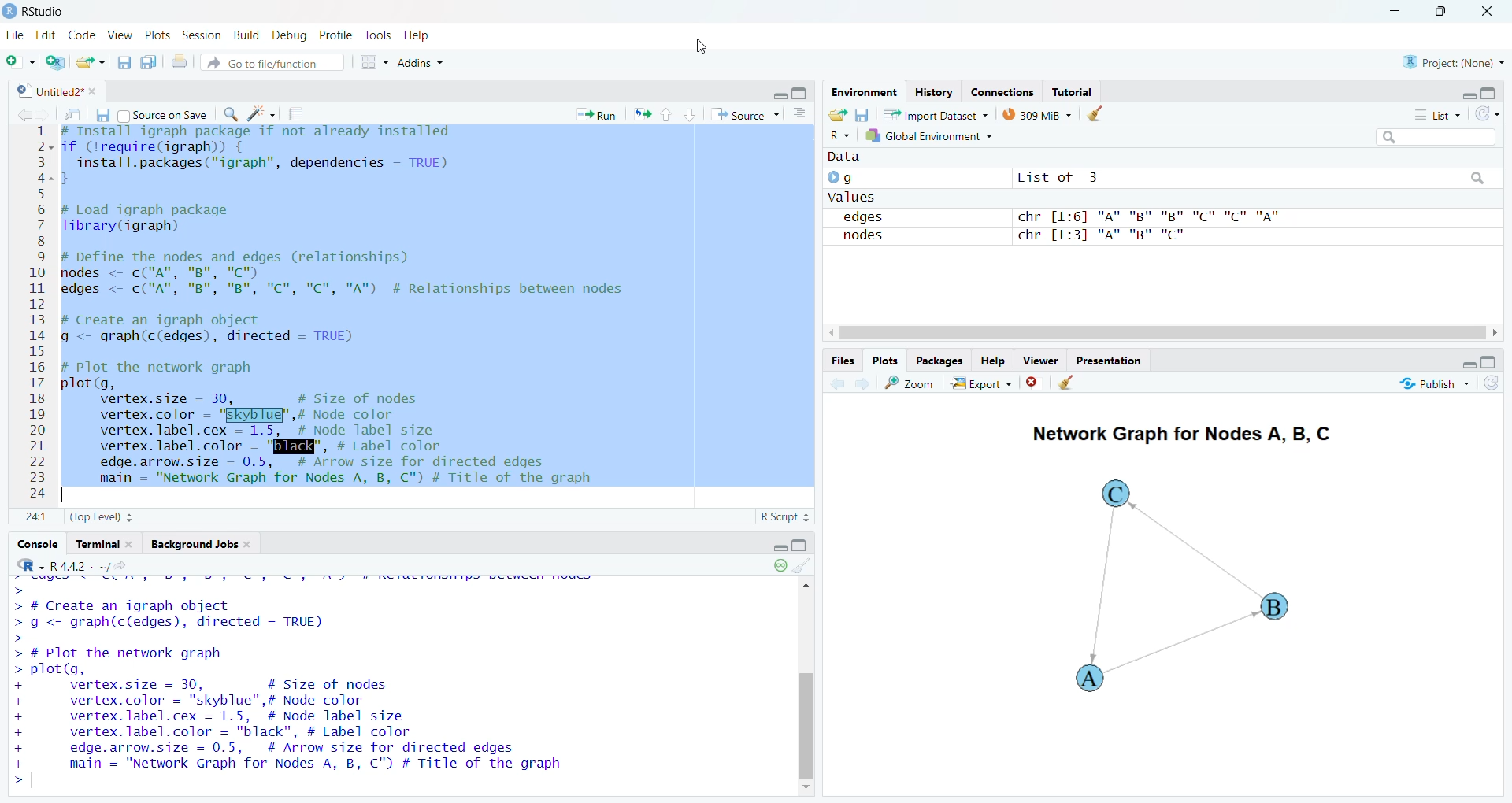  Describe the element at coordinates (1395, 11) in the screenshot. I see `minimise` at that location.